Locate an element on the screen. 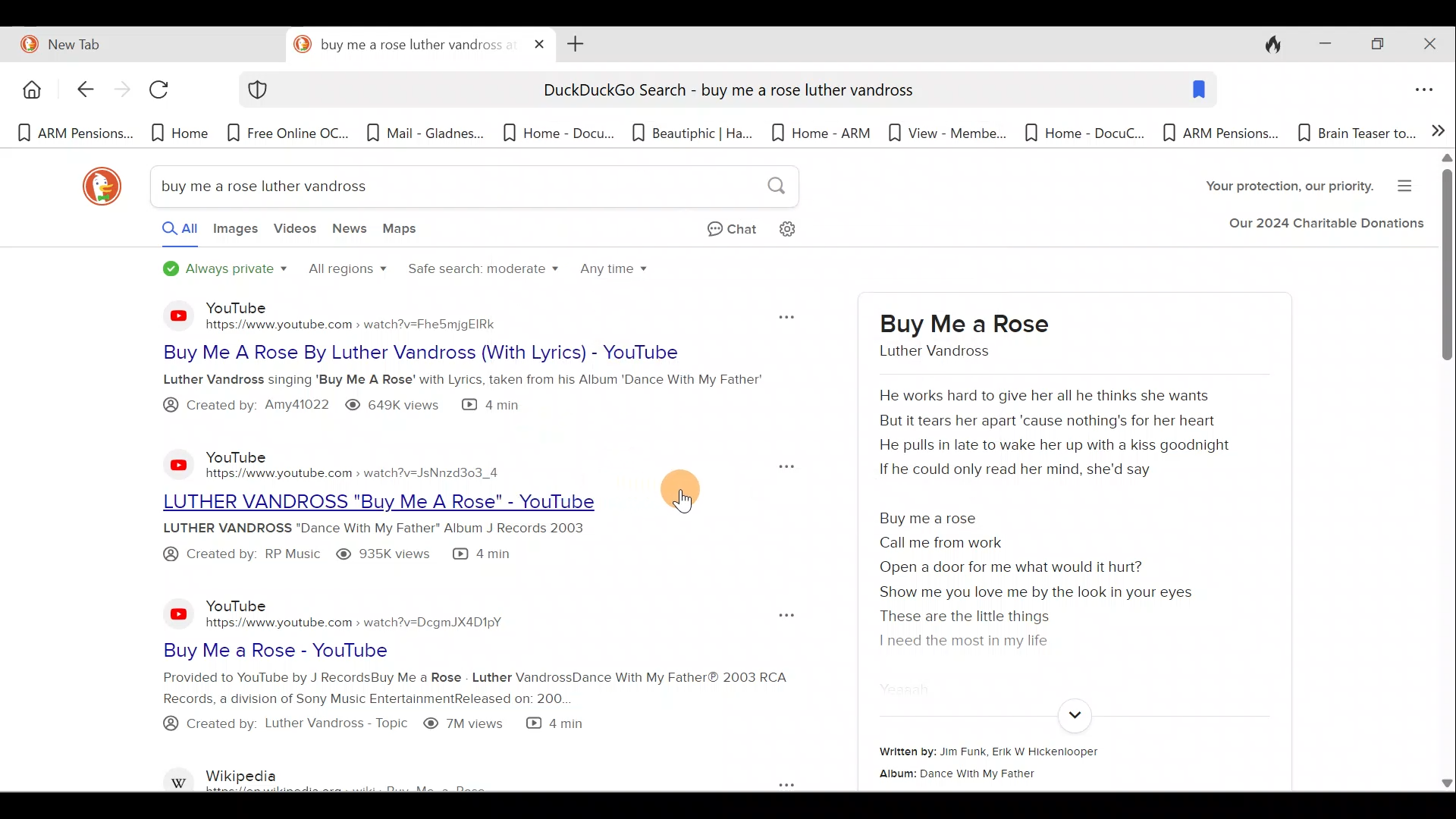 The width and height of the screenshot is (1456, 819). Bookmark 9 is located at coordinates (1077, 133).